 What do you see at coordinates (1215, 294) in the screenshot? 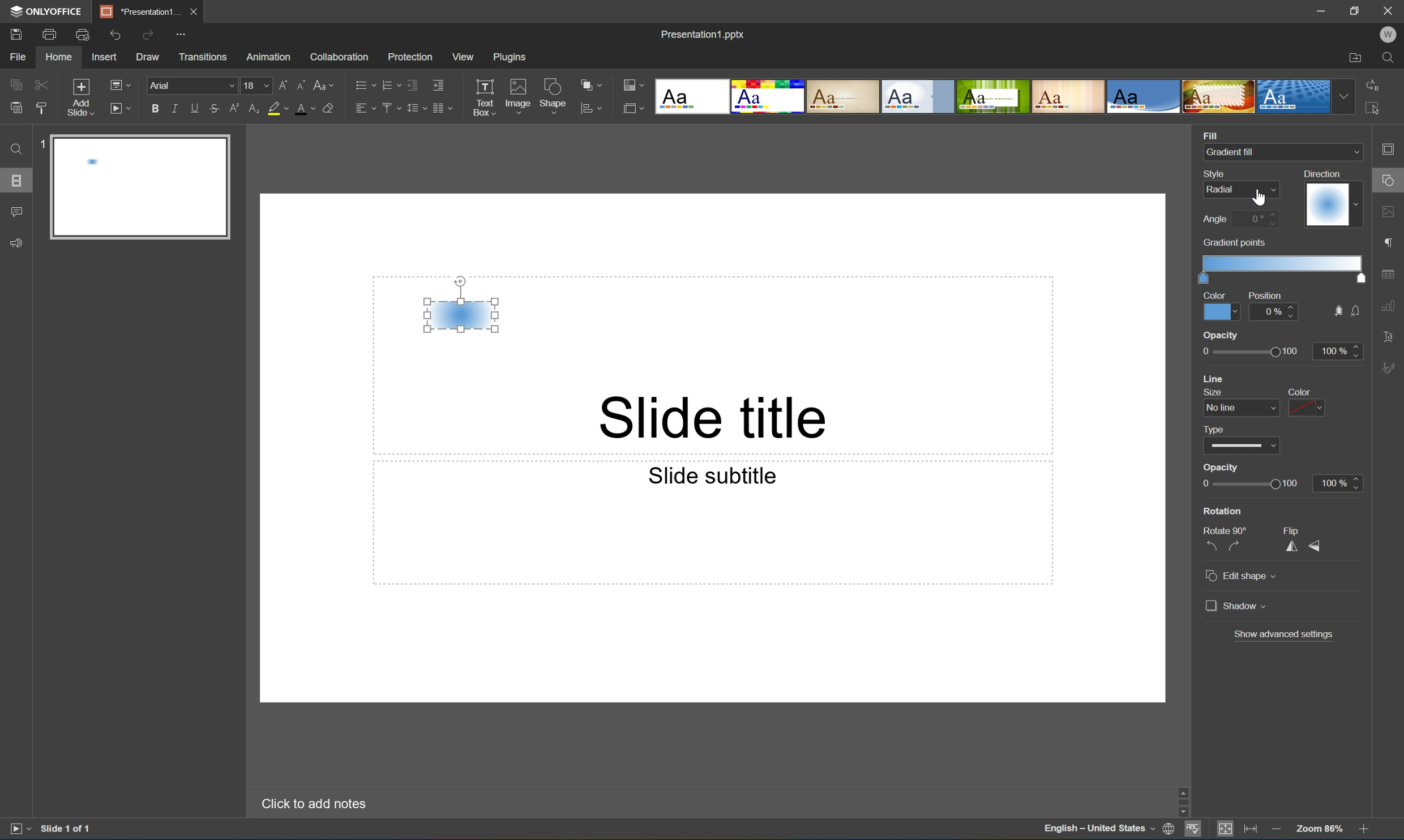
I see `Color` at bounding box center [1215, 294].